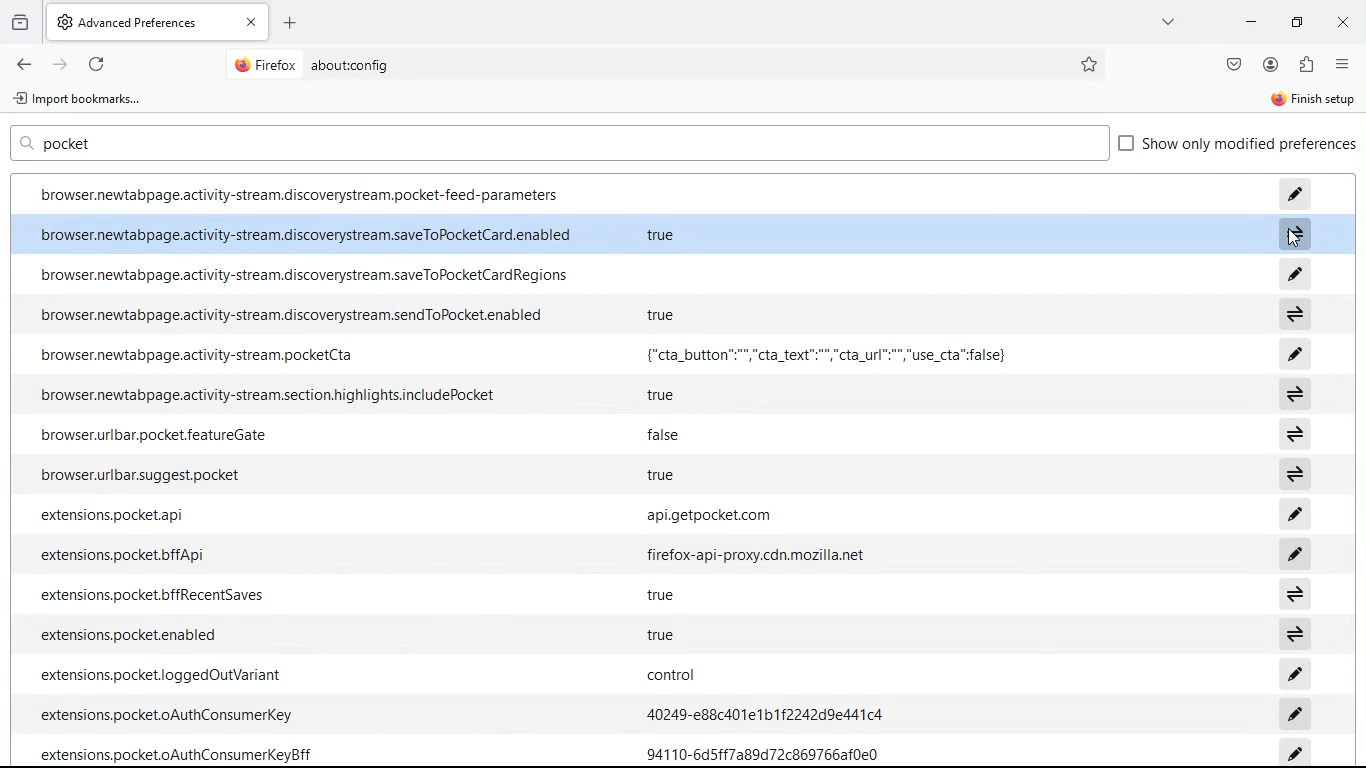 Image resolution: width=1366 pixels, height=768 pixels. What do you see at coordinates (1298, 475) in the screenshot?
I see `switch` at bounding box center [1298, 475].